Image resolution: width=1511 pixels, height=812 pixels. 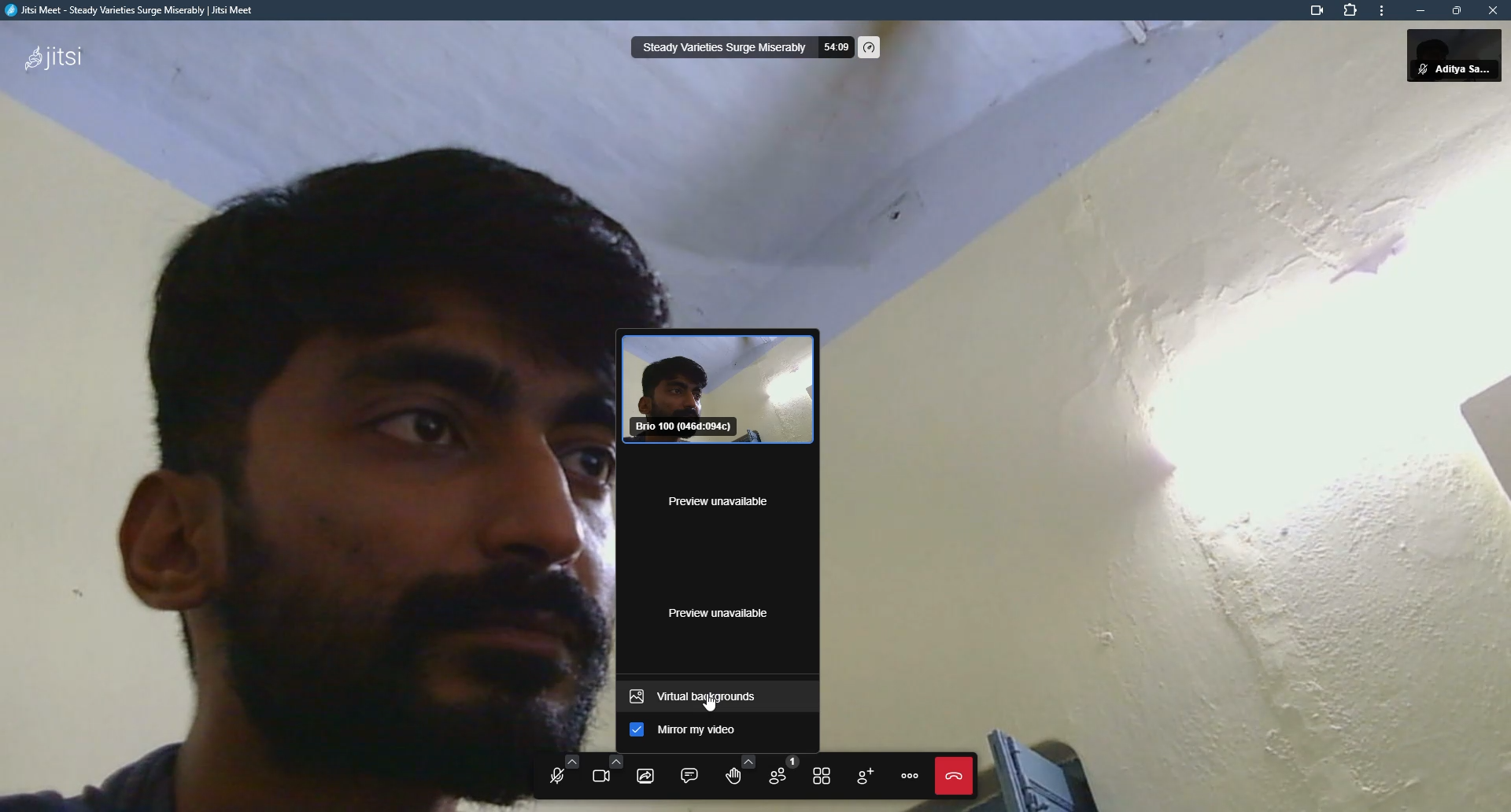 I want to click on mirror my video, so click(x=704, y=732).